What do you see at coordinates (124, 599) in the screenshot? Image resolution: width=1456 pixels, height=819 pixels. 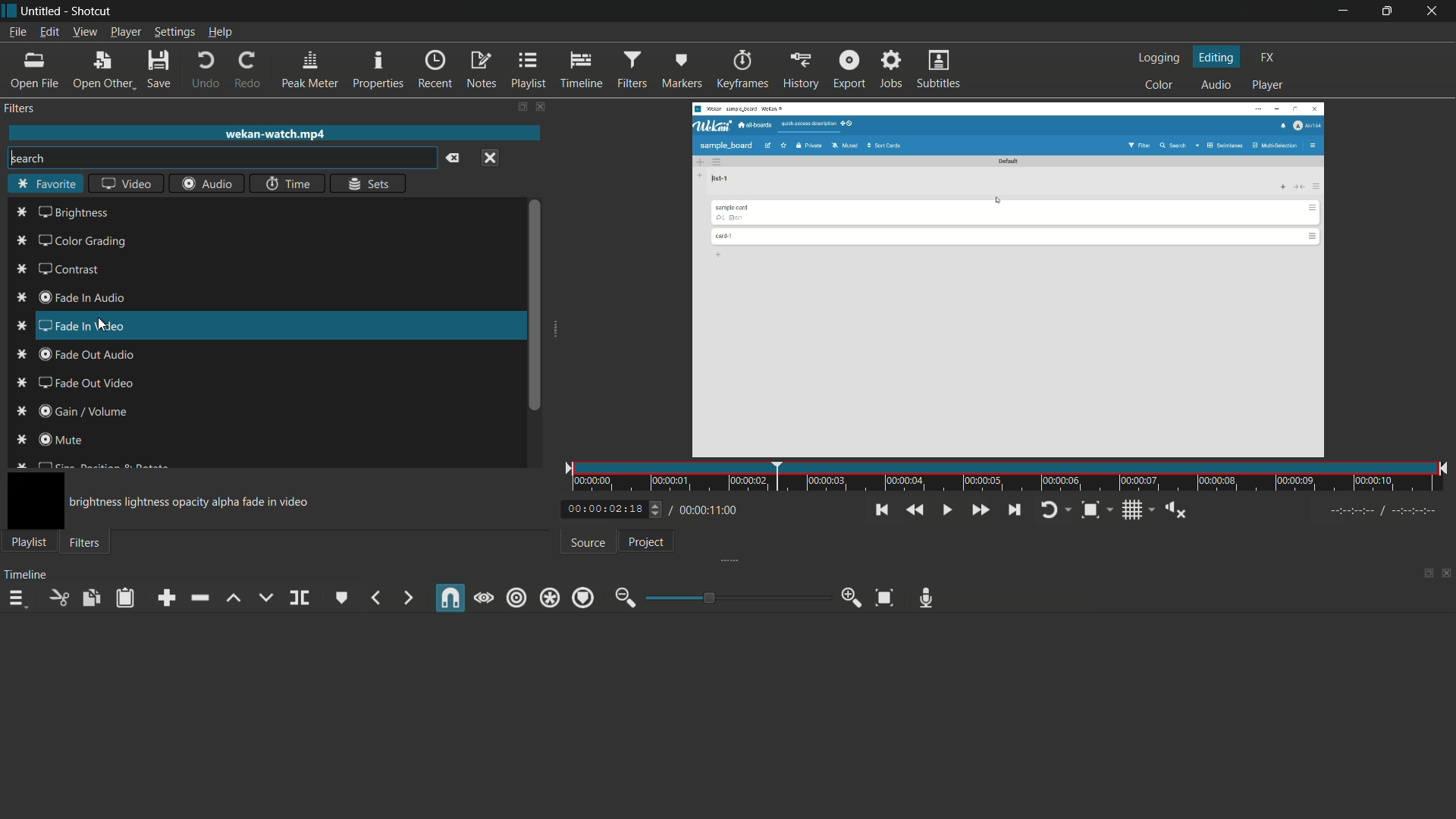 I see `paste` at bounding box center [124, 599].